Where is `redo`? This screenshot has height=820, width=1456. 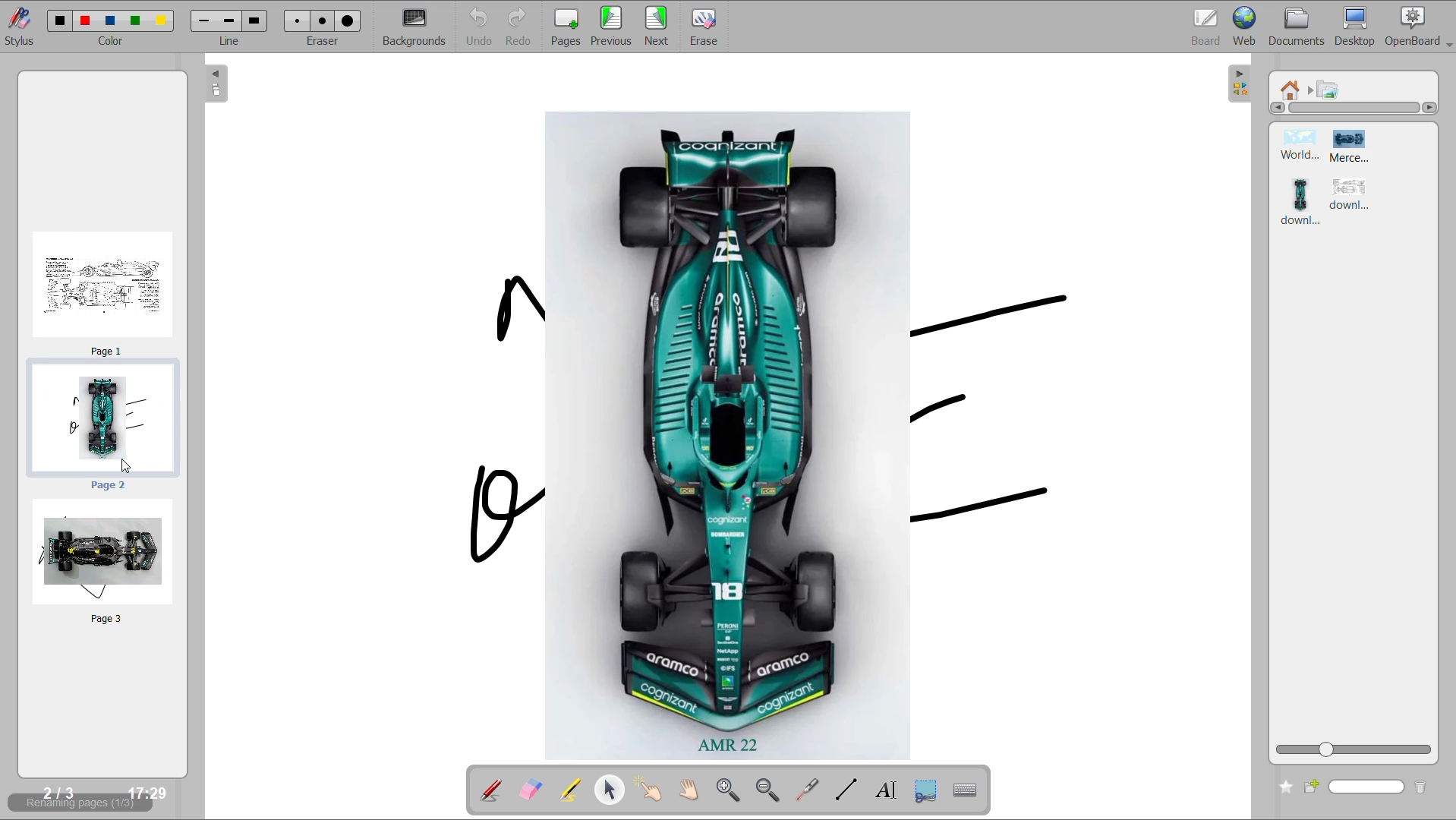
redo is located at coordinates (522, 27).